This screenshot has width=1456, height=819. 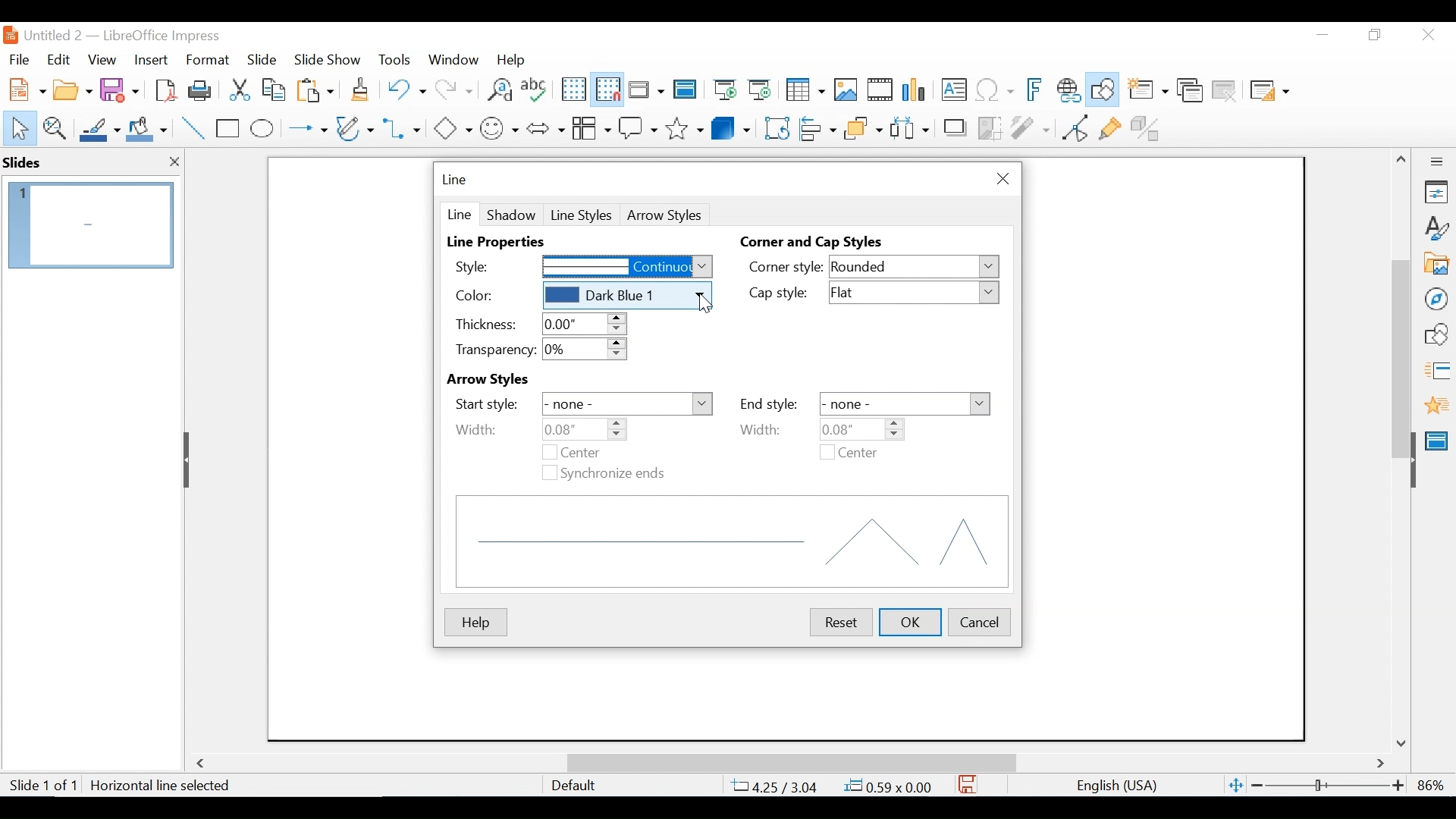 I want to click on Line menu, so click(x=456, y=180).